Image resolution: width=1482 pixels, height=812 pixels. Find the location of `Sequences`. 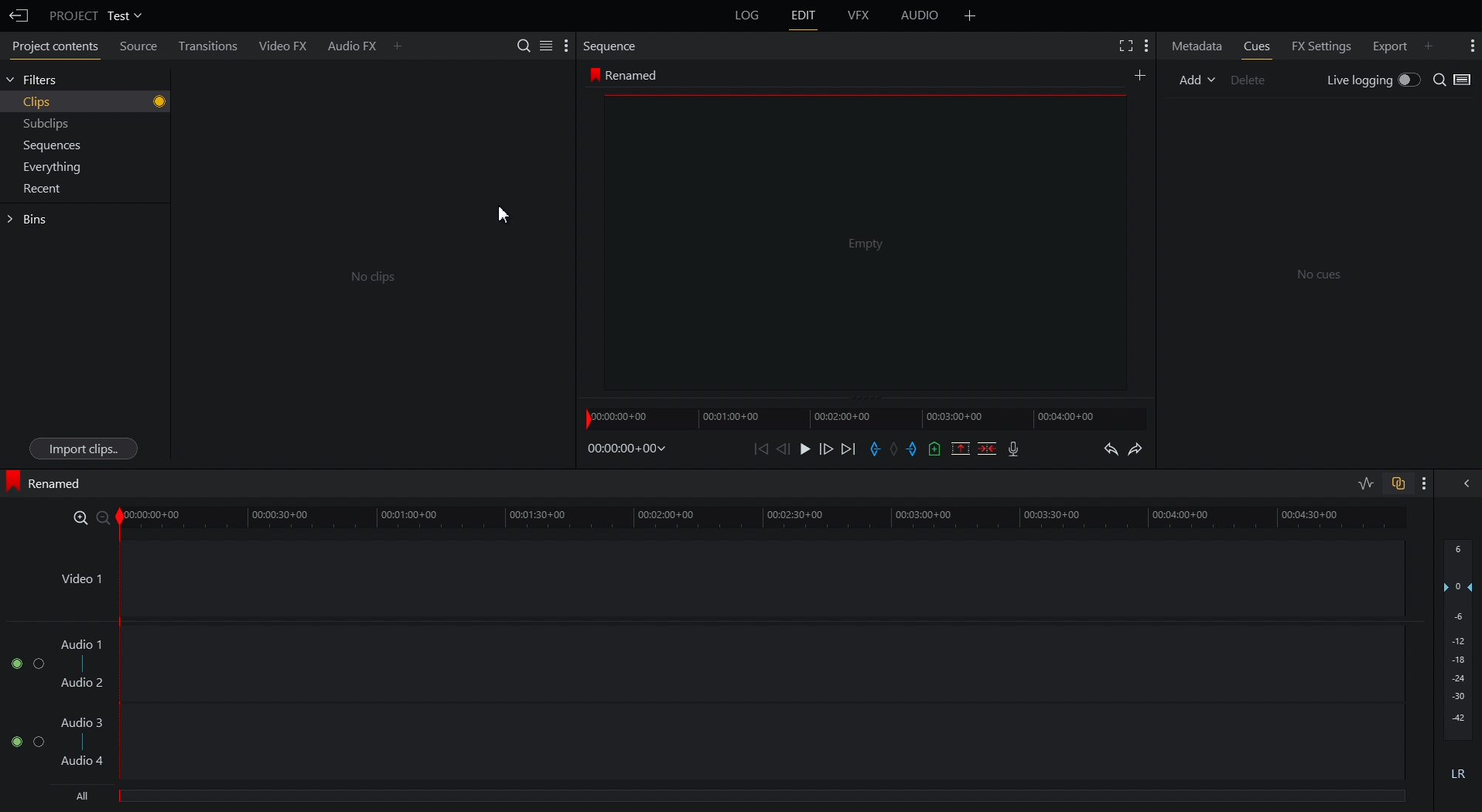

Sequences is located at coordinates (48, 145).